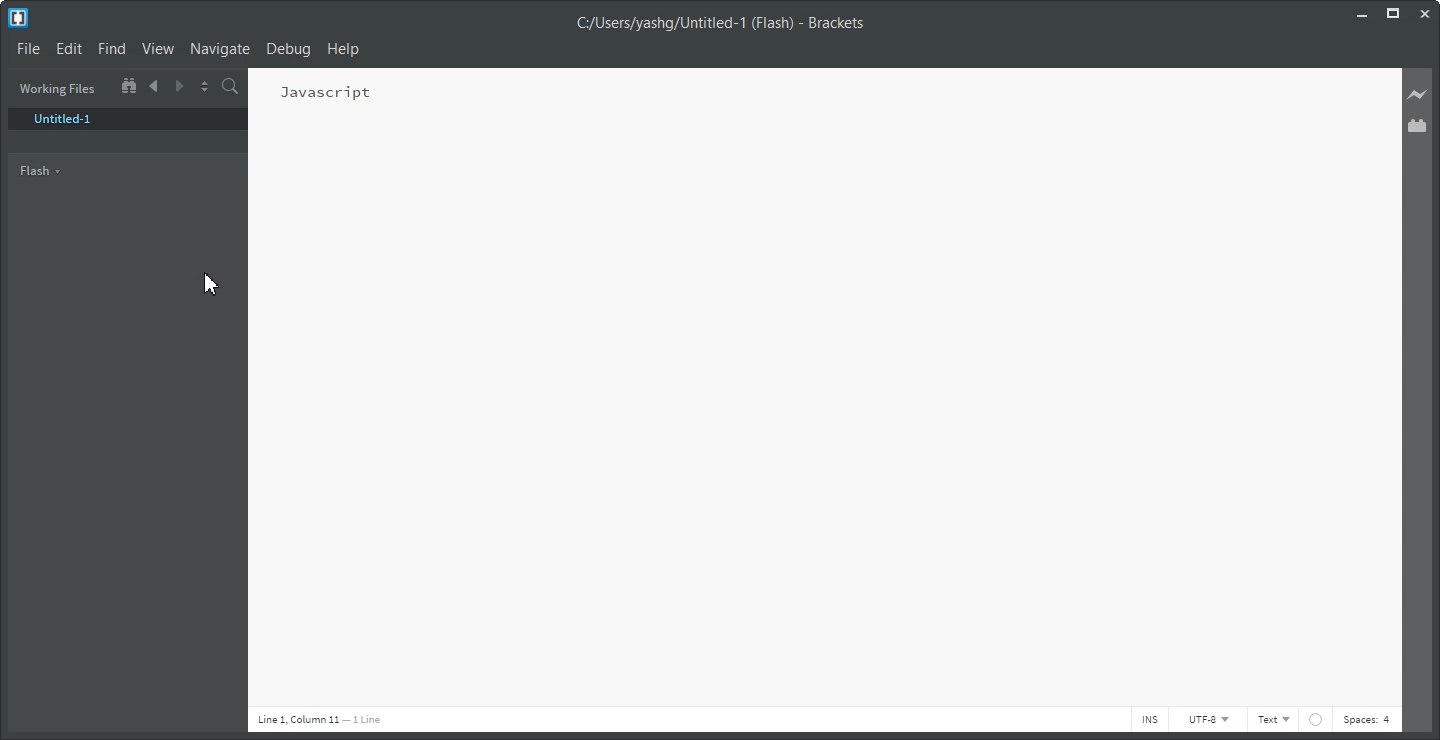  What do you see at coordinates (65, 85) in the screenshot?
I see `Getting Started` at bounding box center [65, 85].